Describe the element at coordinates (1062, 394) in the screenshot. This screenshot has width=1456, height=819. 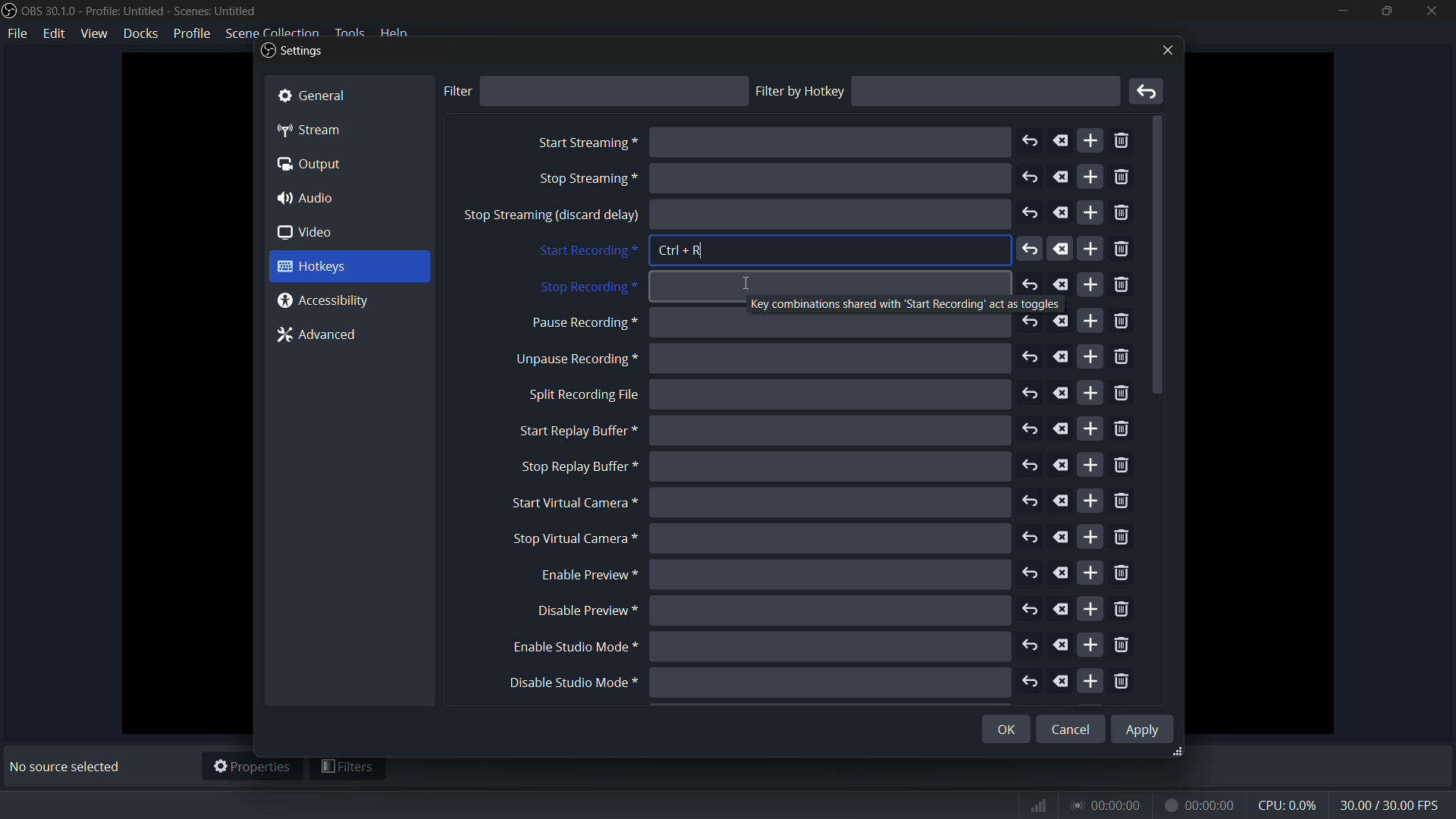
I see `delete` at that location.